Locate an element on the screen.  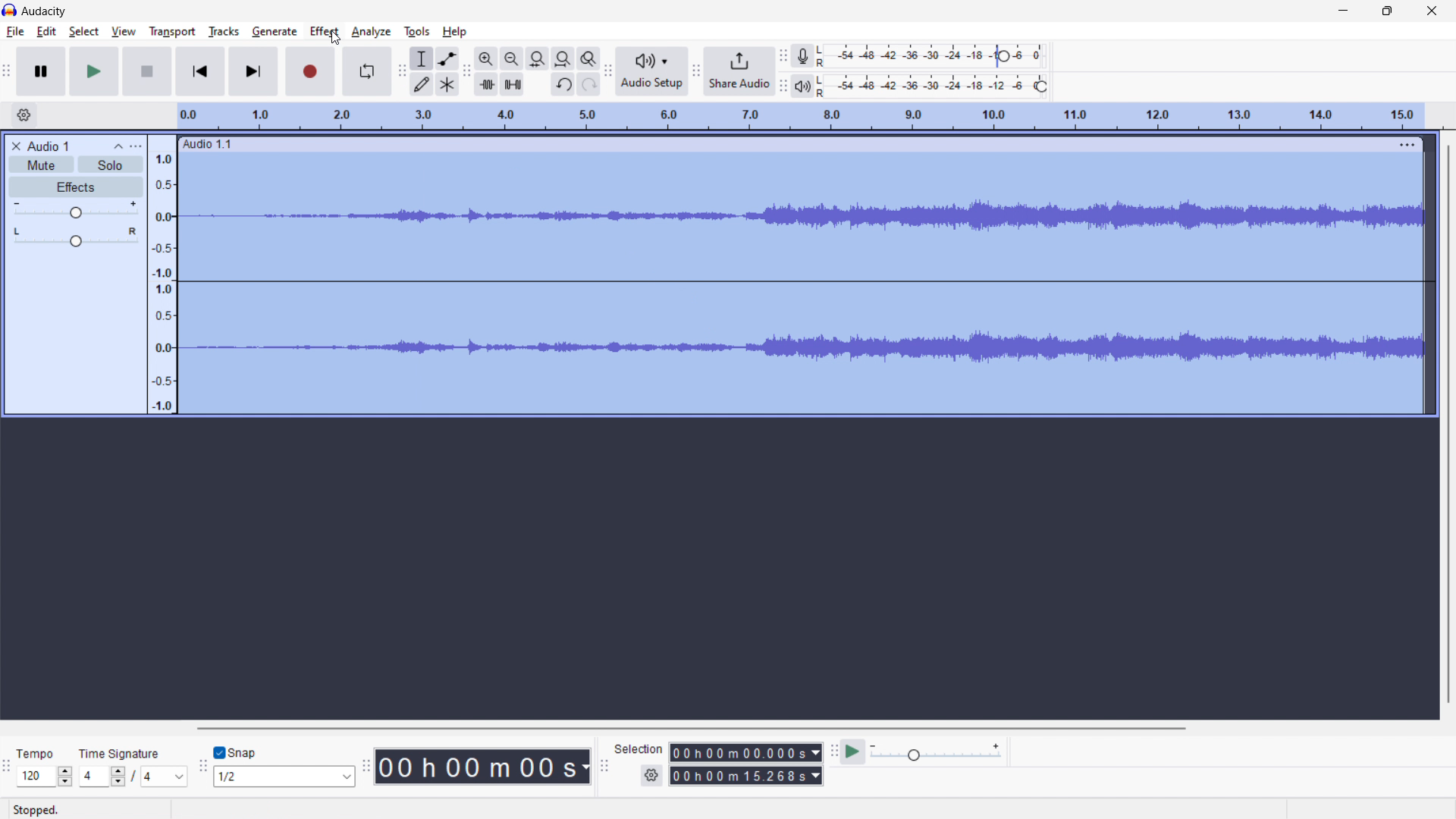
record meter is located at coordinates (935, 55).